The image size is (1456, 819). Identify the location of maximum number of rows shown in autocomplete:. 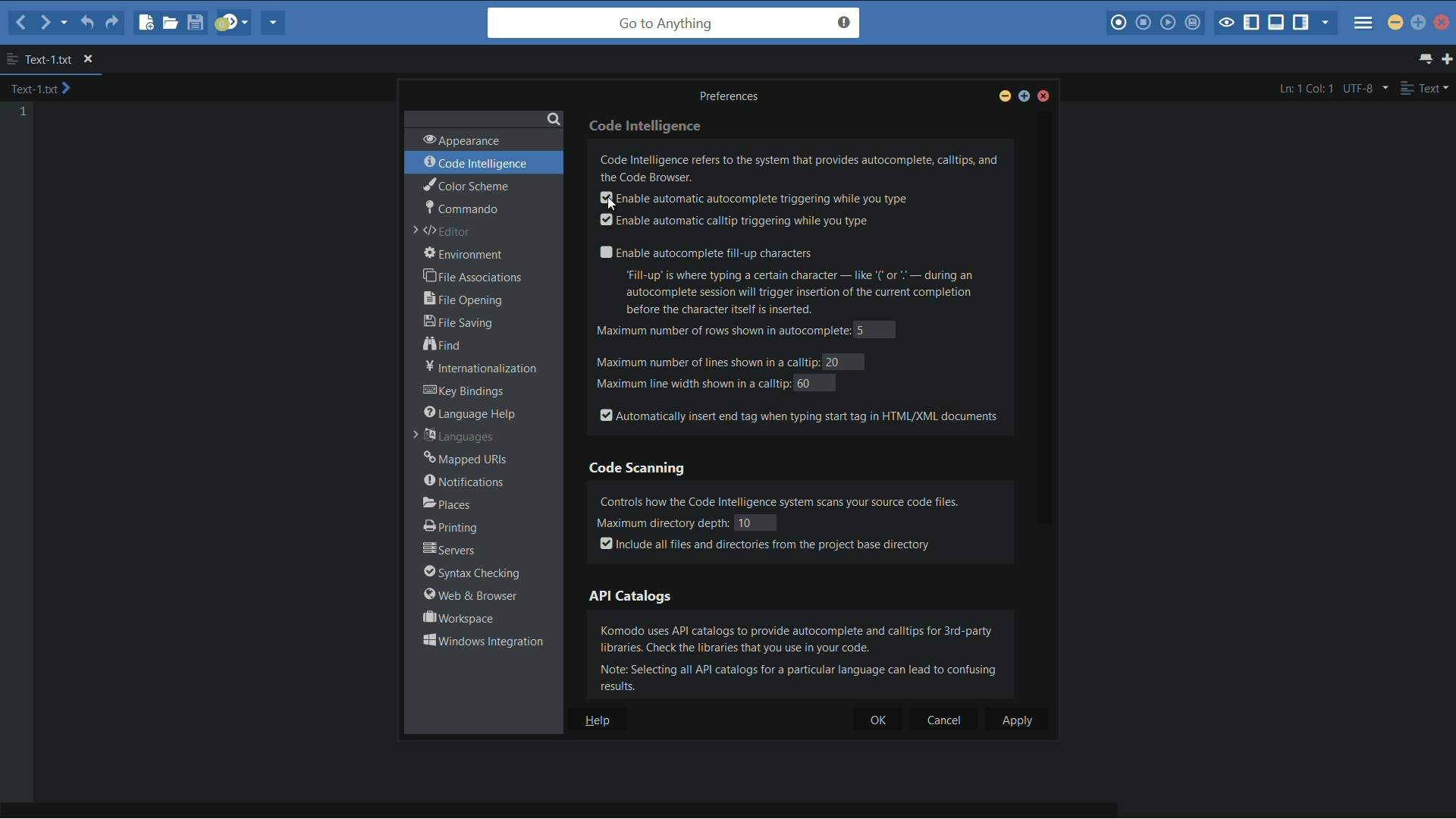
(720, 332).